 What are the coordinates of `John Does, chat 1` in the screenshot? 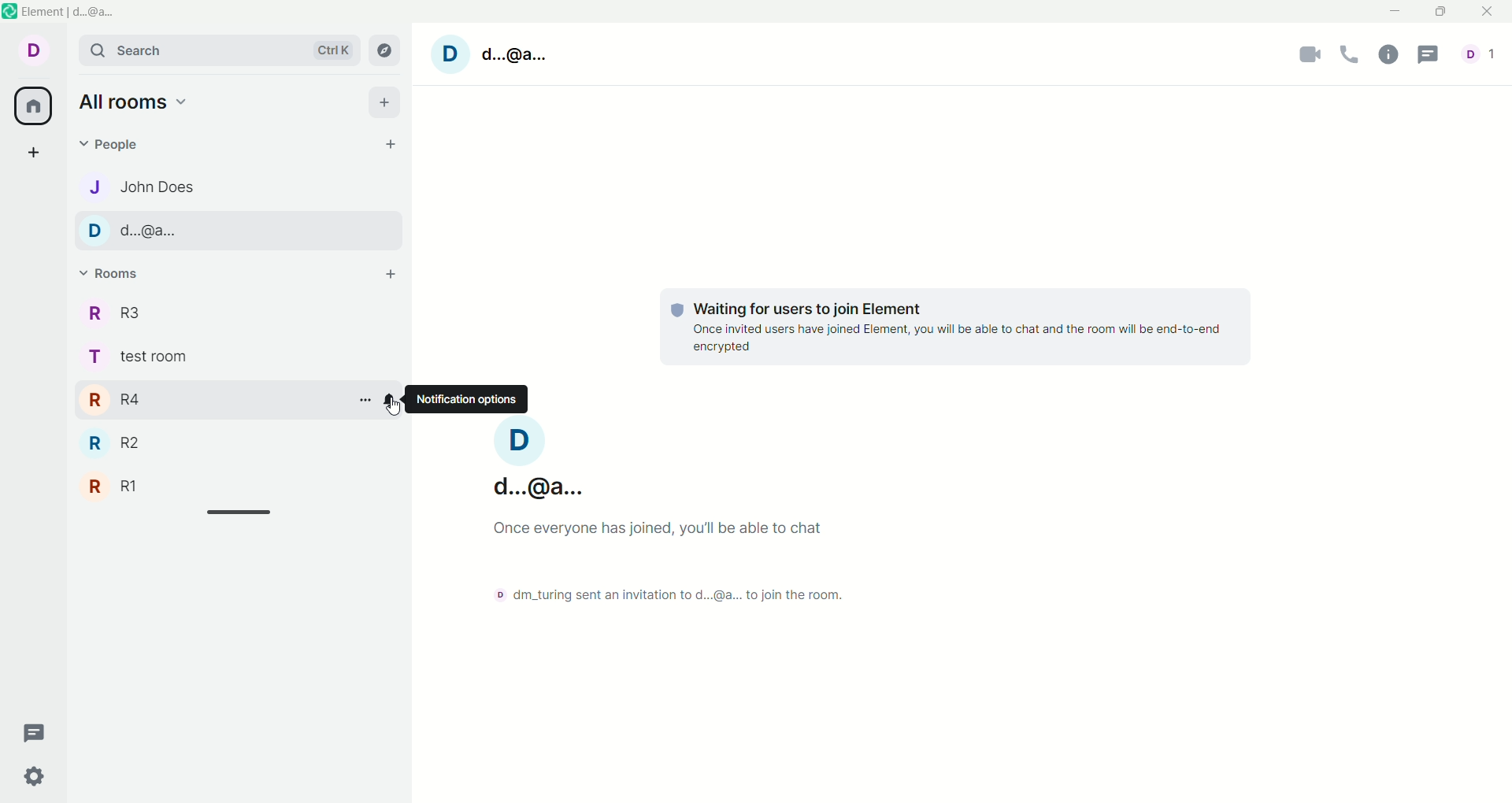 It's located at (238, 187).